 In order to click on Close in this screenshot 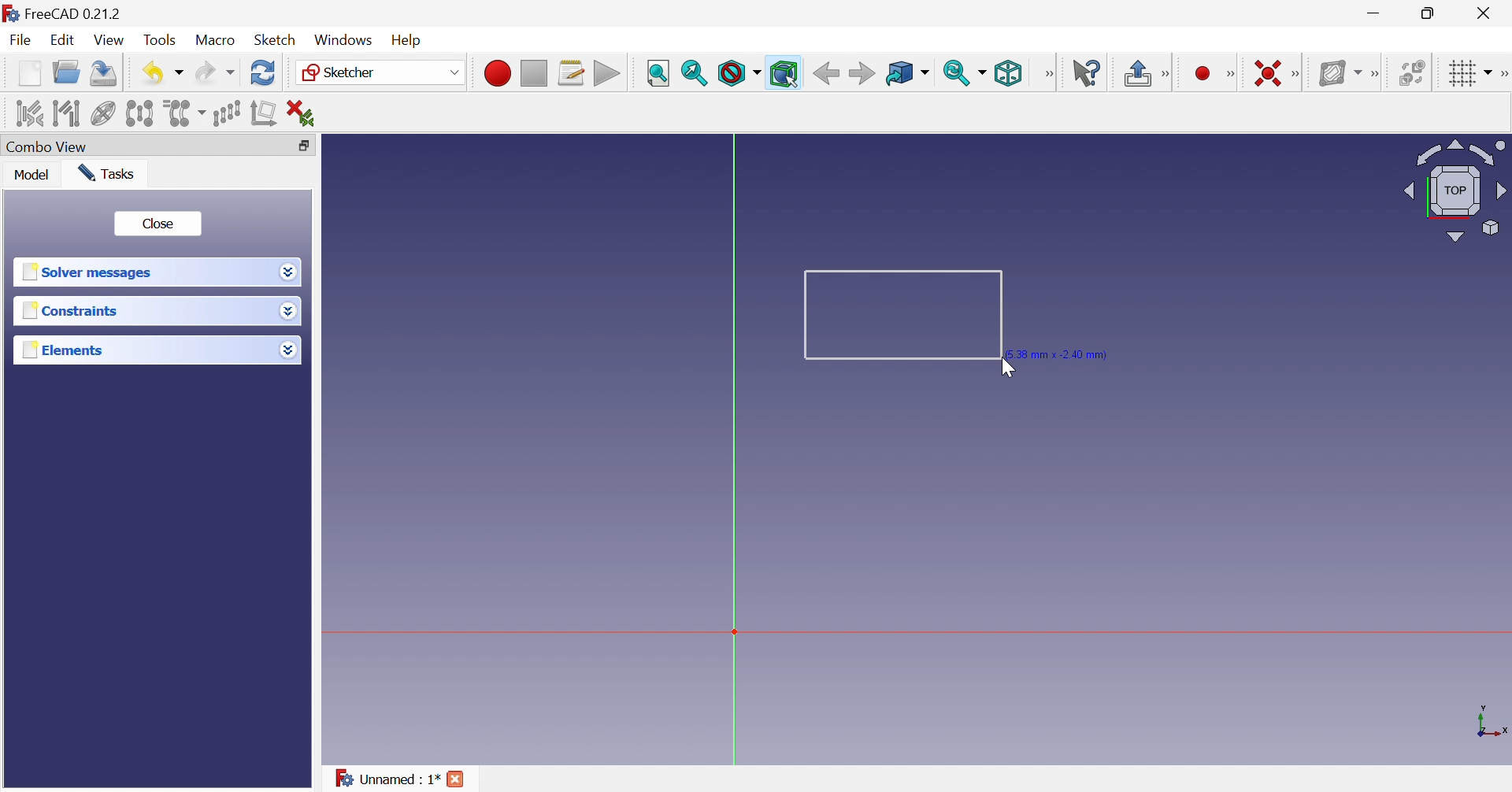, I will do `click(159, 224)`.